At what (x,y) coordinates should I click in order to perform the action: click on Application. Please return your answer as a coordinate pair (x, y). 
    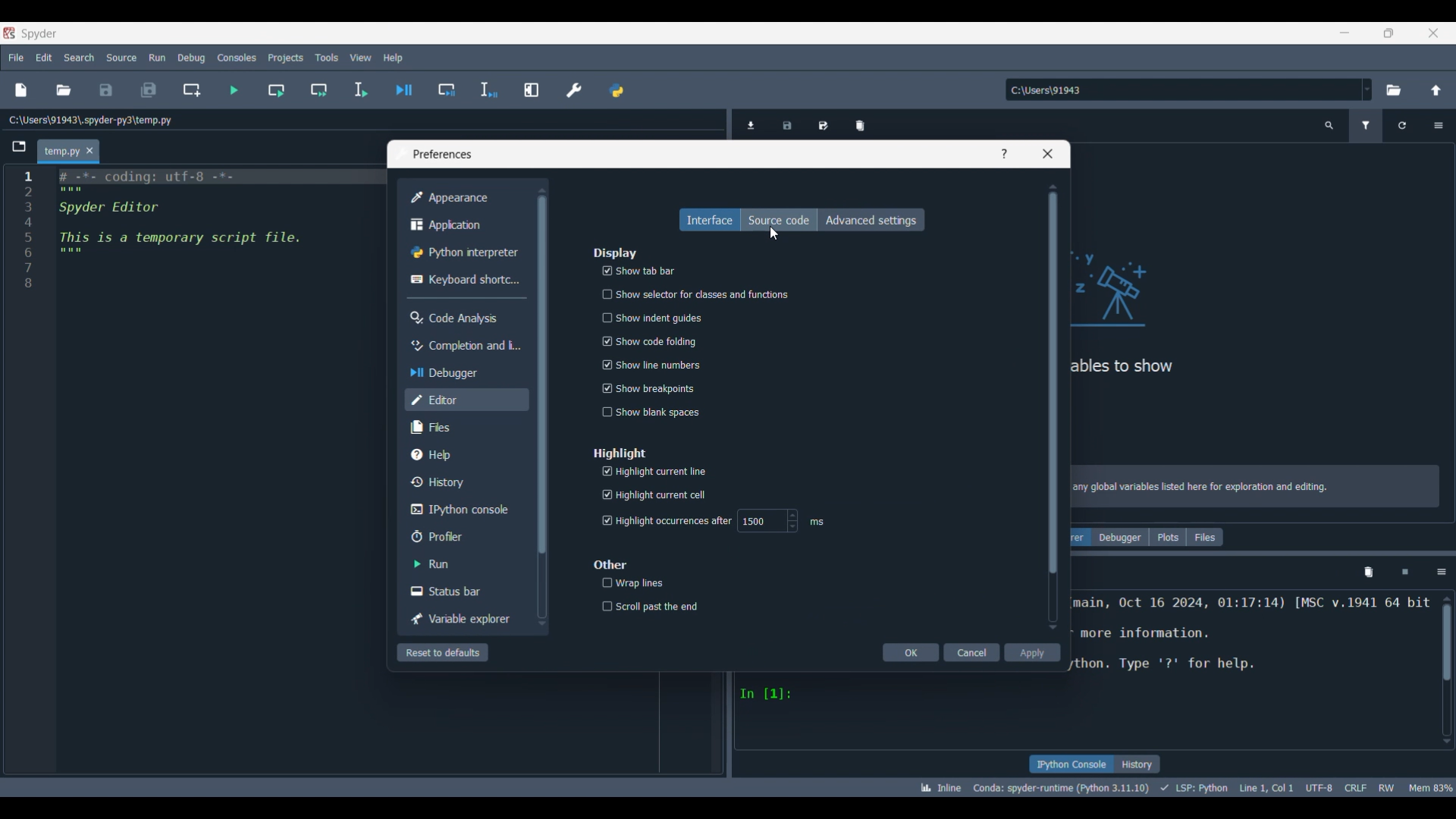
    Looking at the image, I should click on (466, 224).